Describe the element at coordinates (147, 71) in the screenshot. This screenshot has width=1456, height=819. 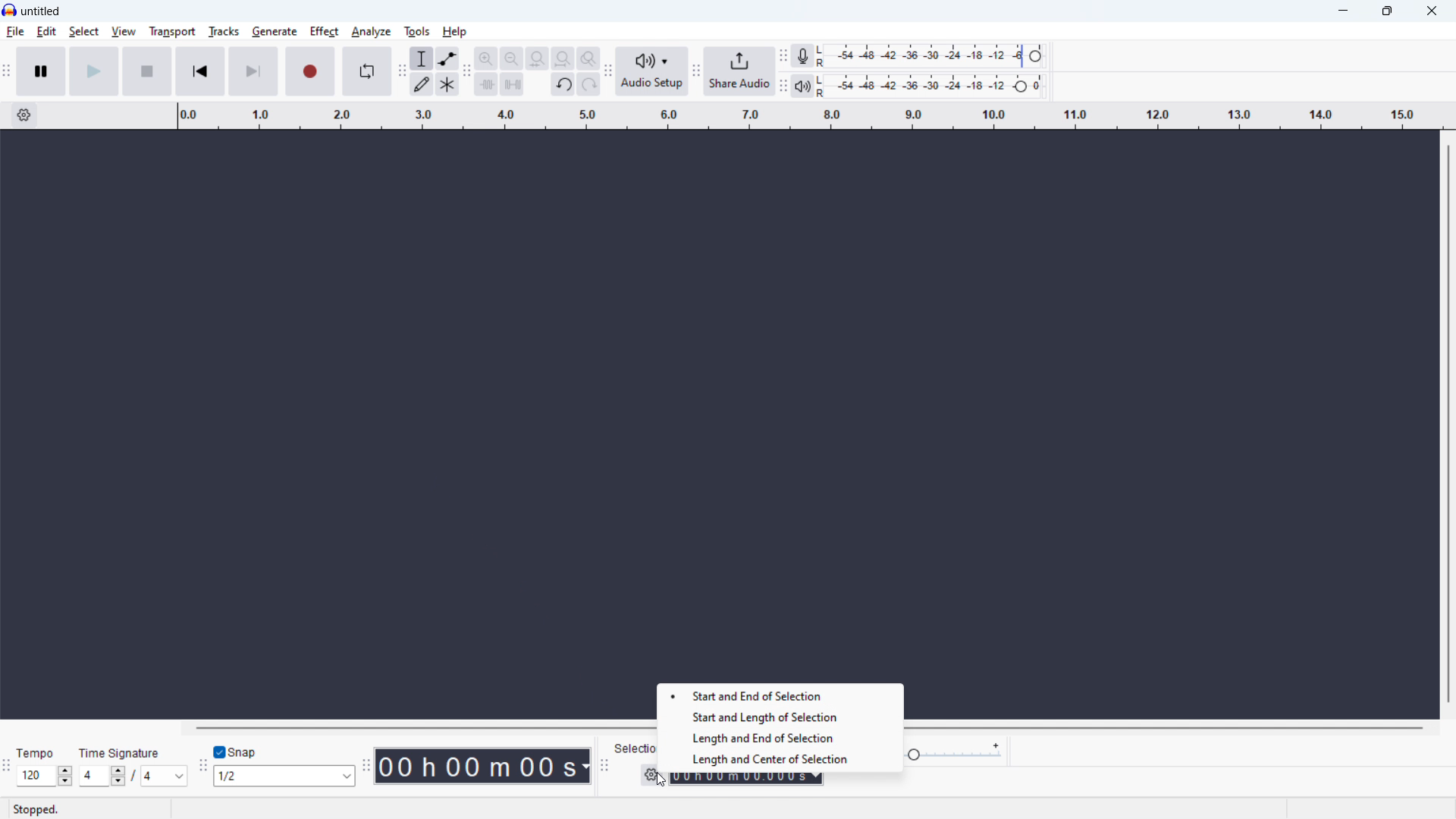
I see `stop` at that location.